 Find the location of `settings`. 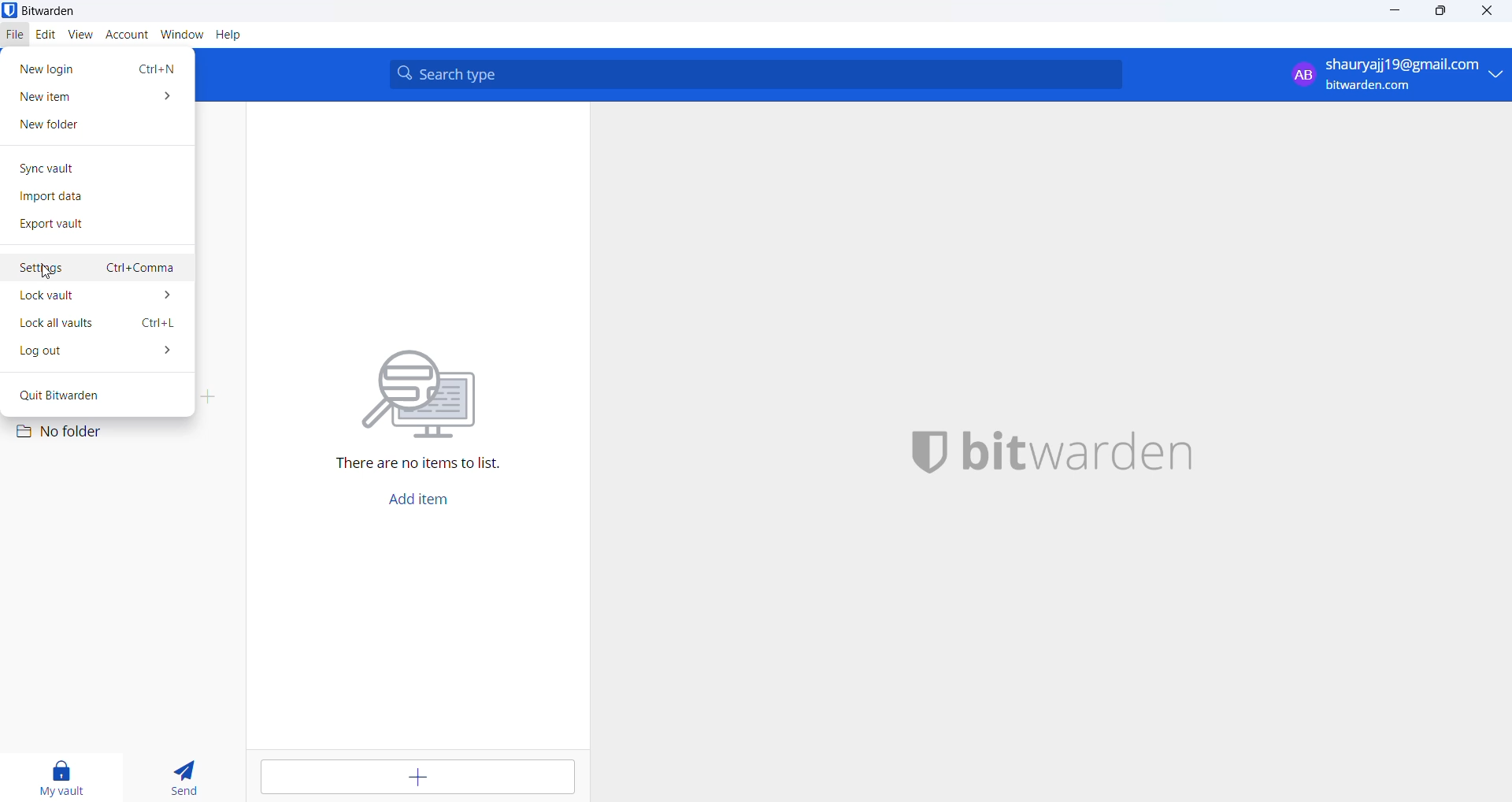

settings is located at coordinates (48, 268).